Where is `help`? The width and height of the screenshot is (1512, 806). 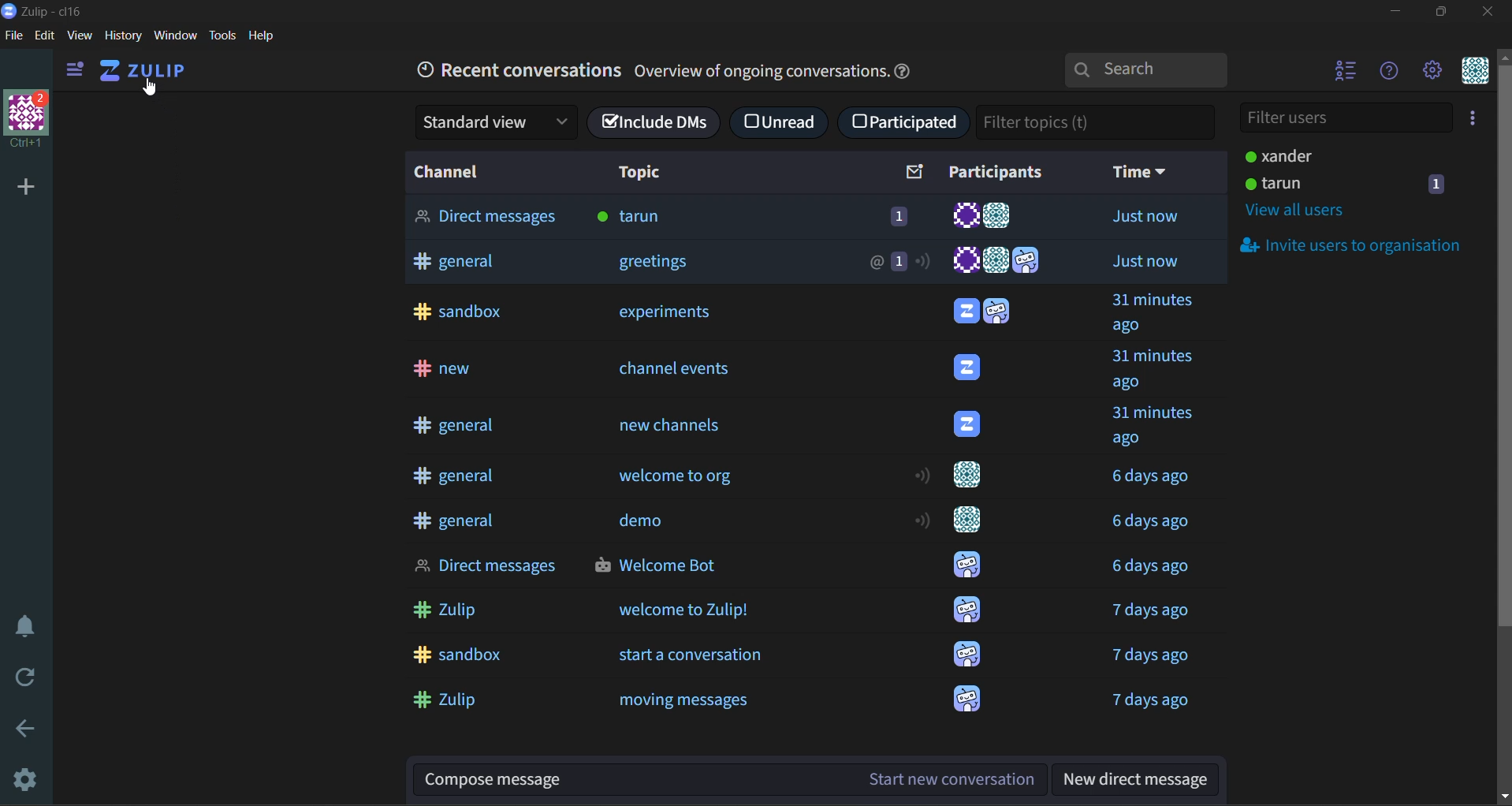 help is located at coordinates (258, 35).